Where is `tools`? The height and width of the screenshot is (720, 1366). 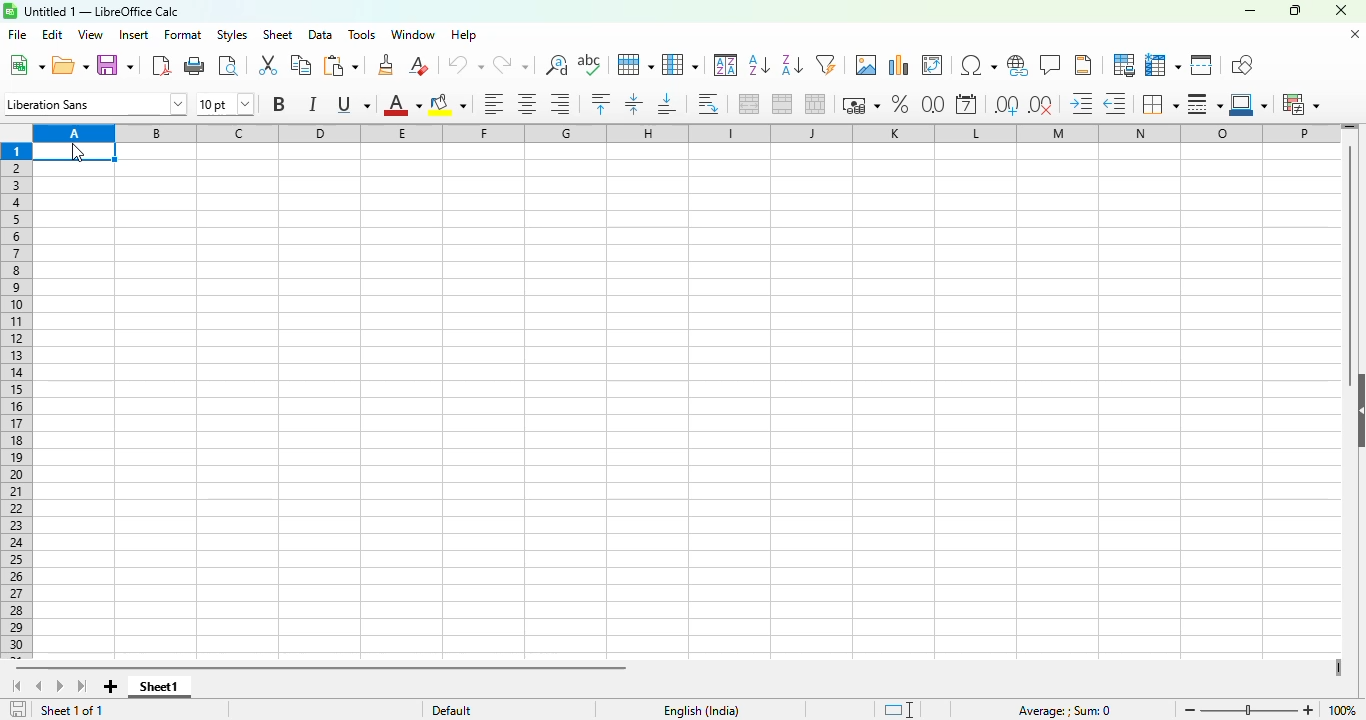
tools is located at coordinates (361, 35).